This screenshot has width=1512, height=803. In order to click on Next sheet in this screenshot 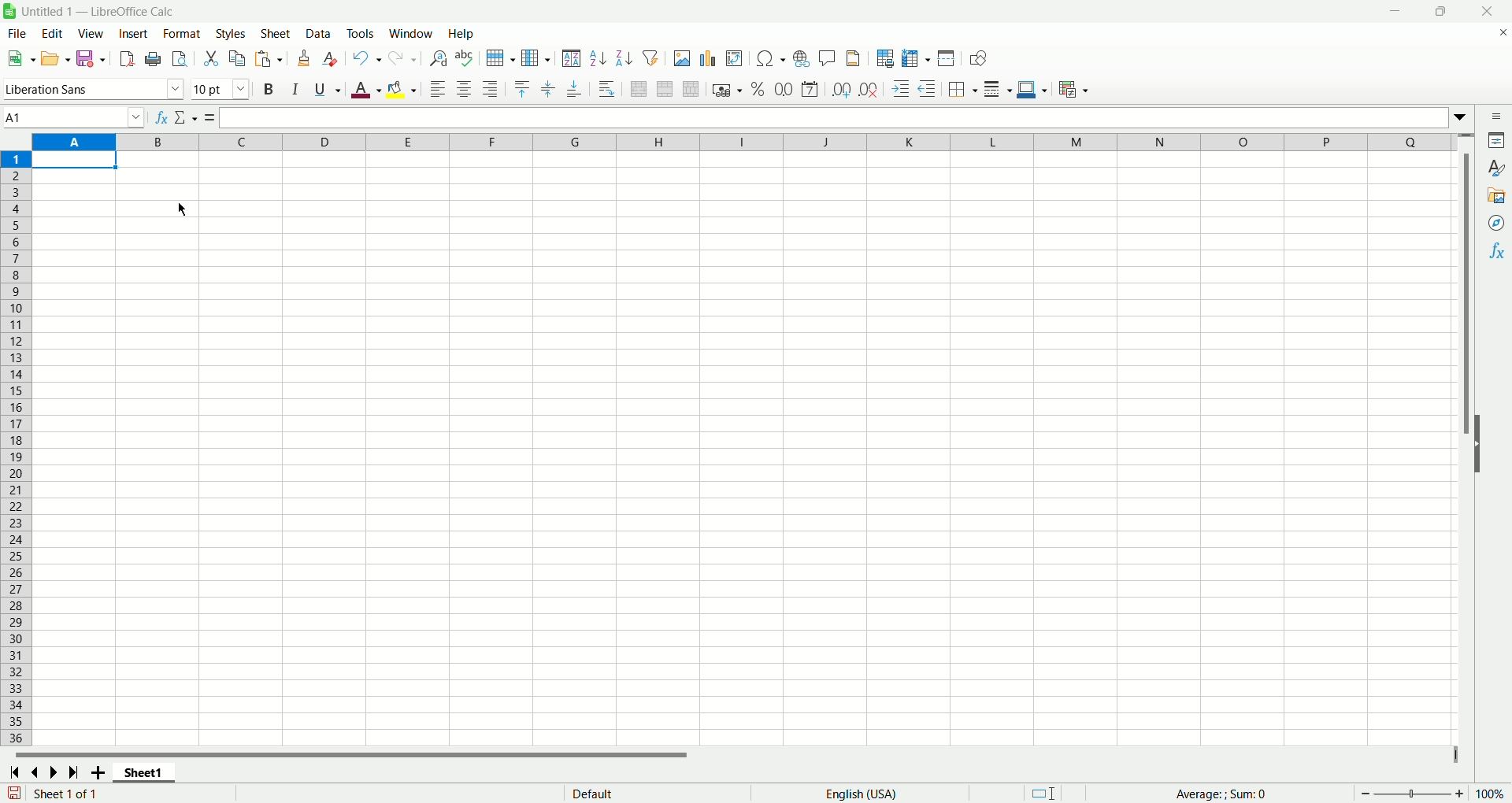, I will do `click(57, 774)`.